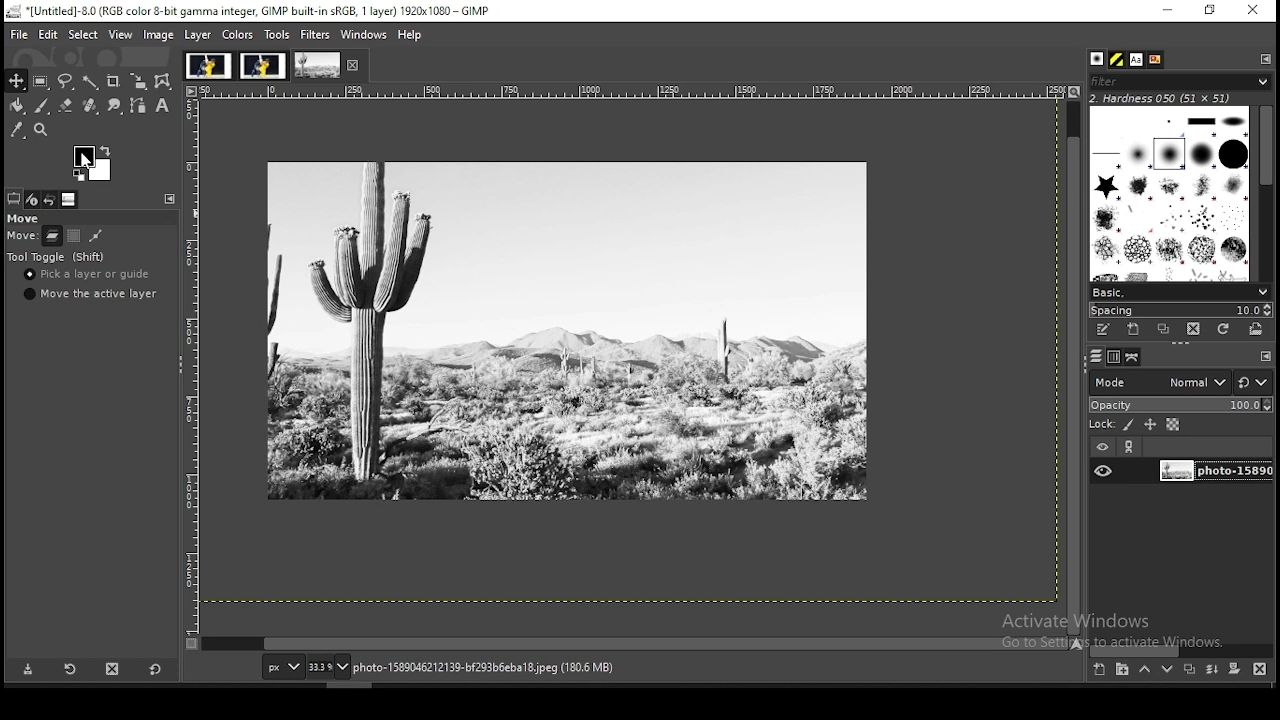  I want to click on device status, so click(34, 199).